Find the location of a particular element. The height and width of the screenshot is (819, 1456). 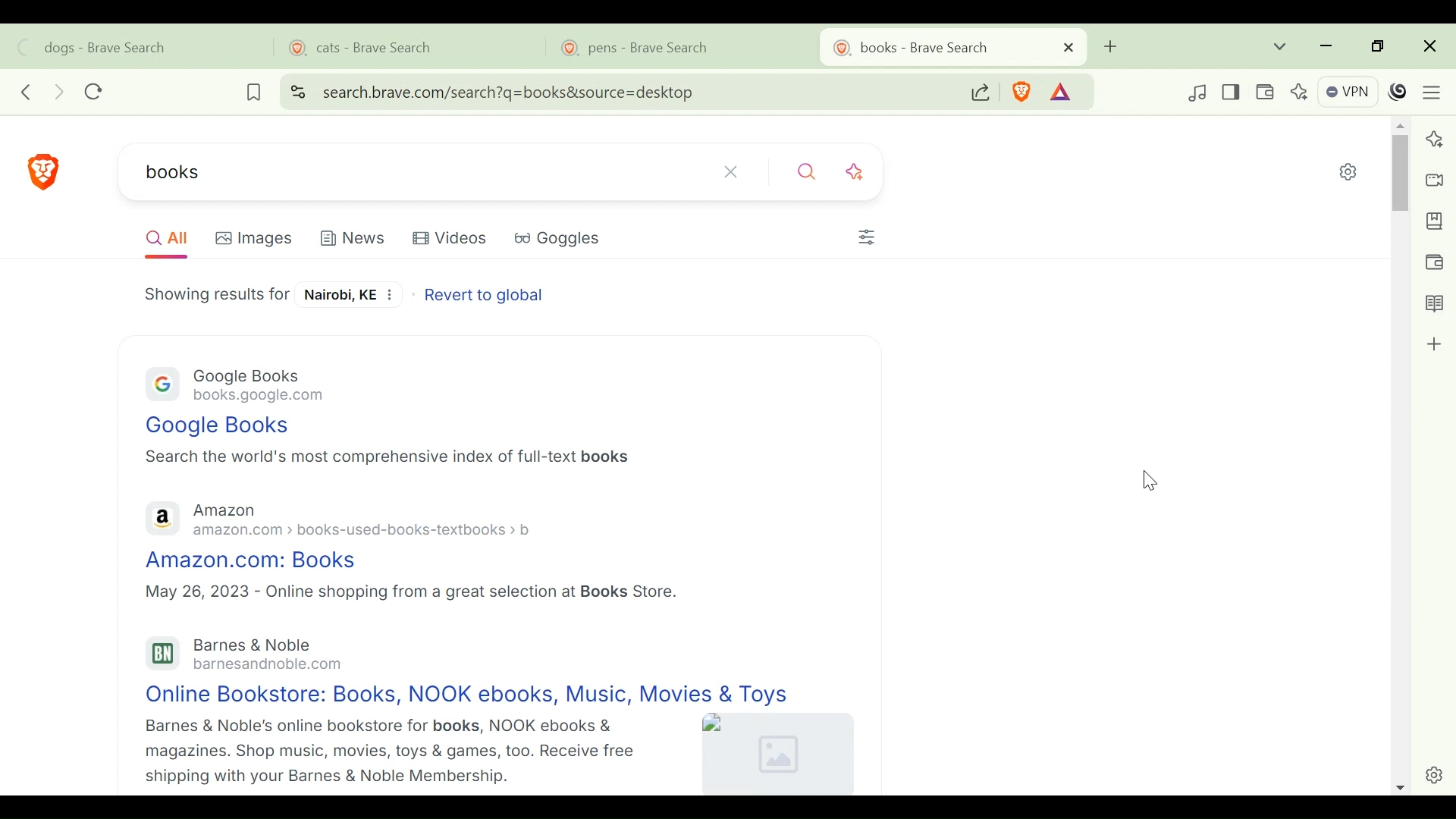

Share is located at coordinates (981, 89).